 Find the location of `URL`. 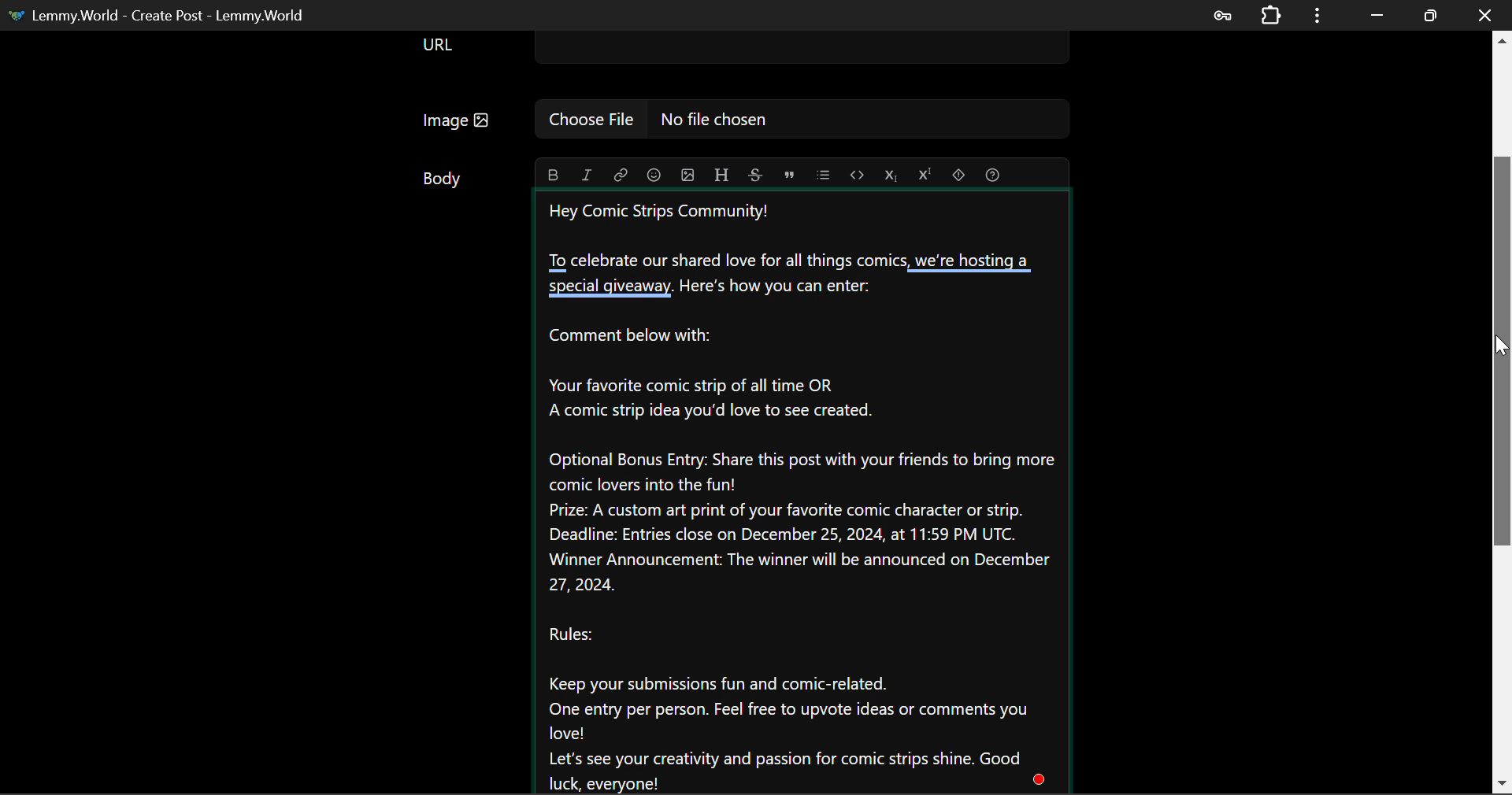

URL is located at coordinates (742, 48).